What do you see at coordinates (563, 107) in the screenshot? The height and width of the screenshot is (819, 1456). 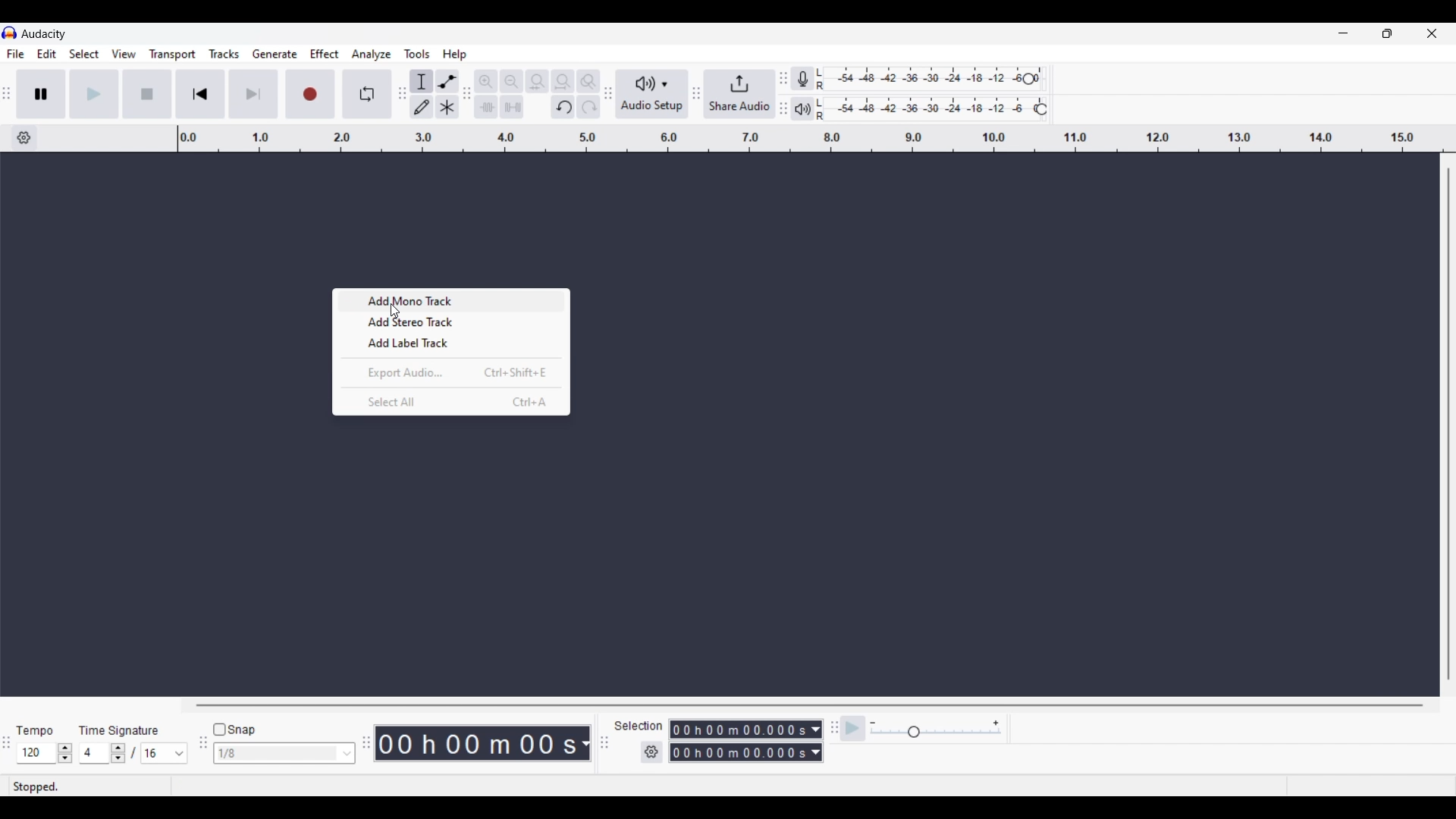 I see `Undo` at bounding box center [563, 107].